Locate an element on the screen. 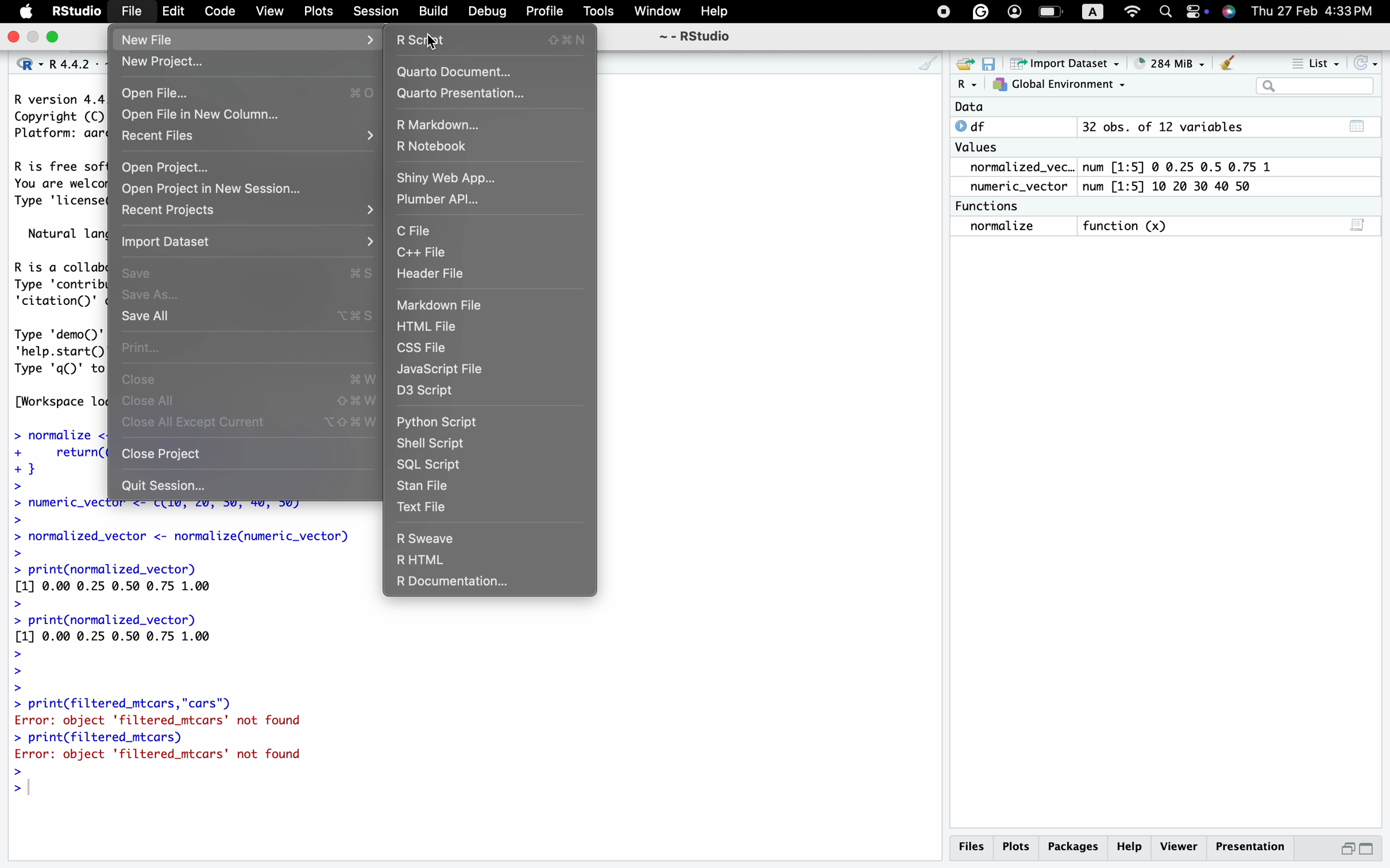 The image size is (1390, 868). Plumber API... is located at coordinates (443, 201).